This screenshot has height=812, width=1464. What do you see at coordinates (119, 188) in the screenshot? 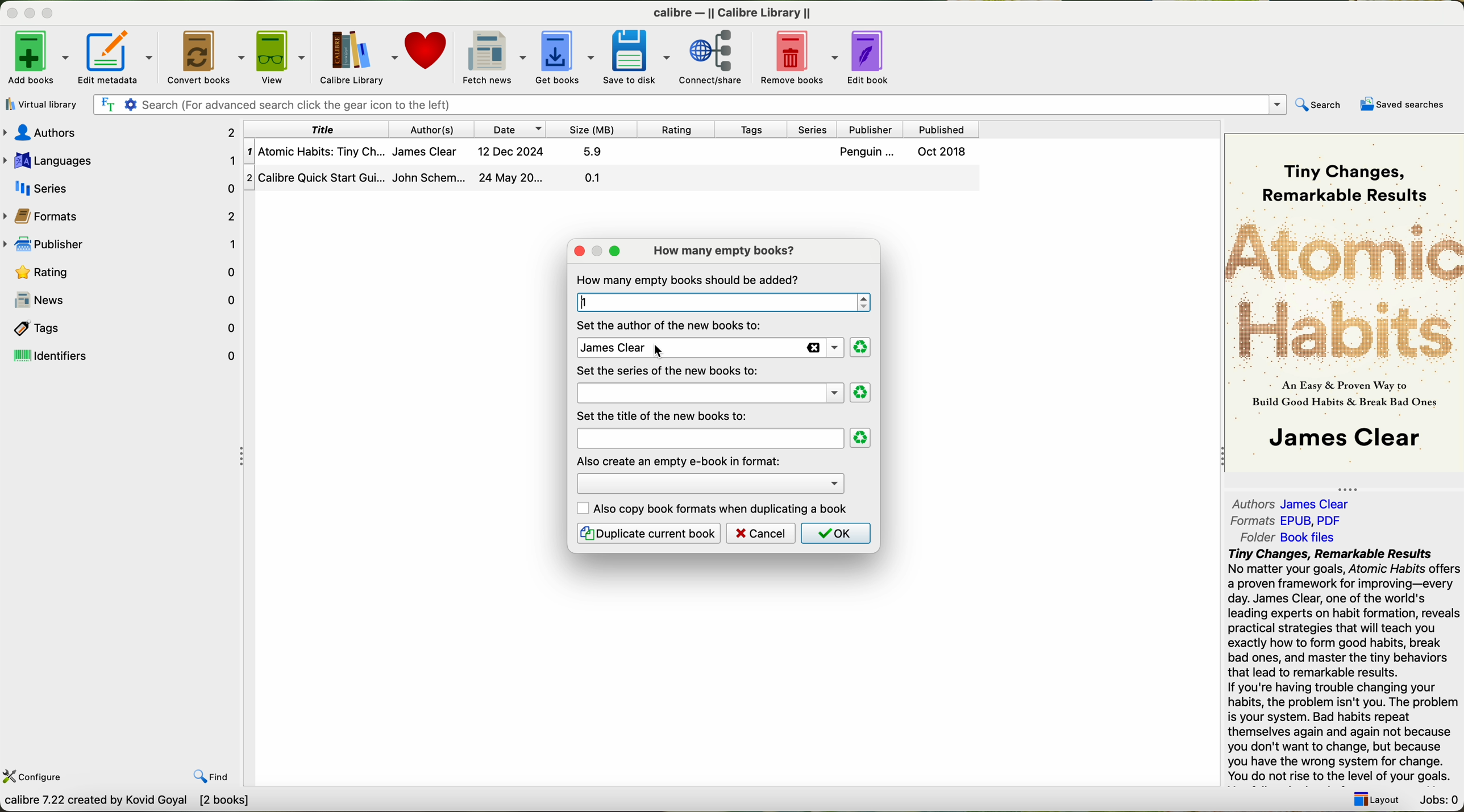
I see `series` at bounding box center [119, 188].